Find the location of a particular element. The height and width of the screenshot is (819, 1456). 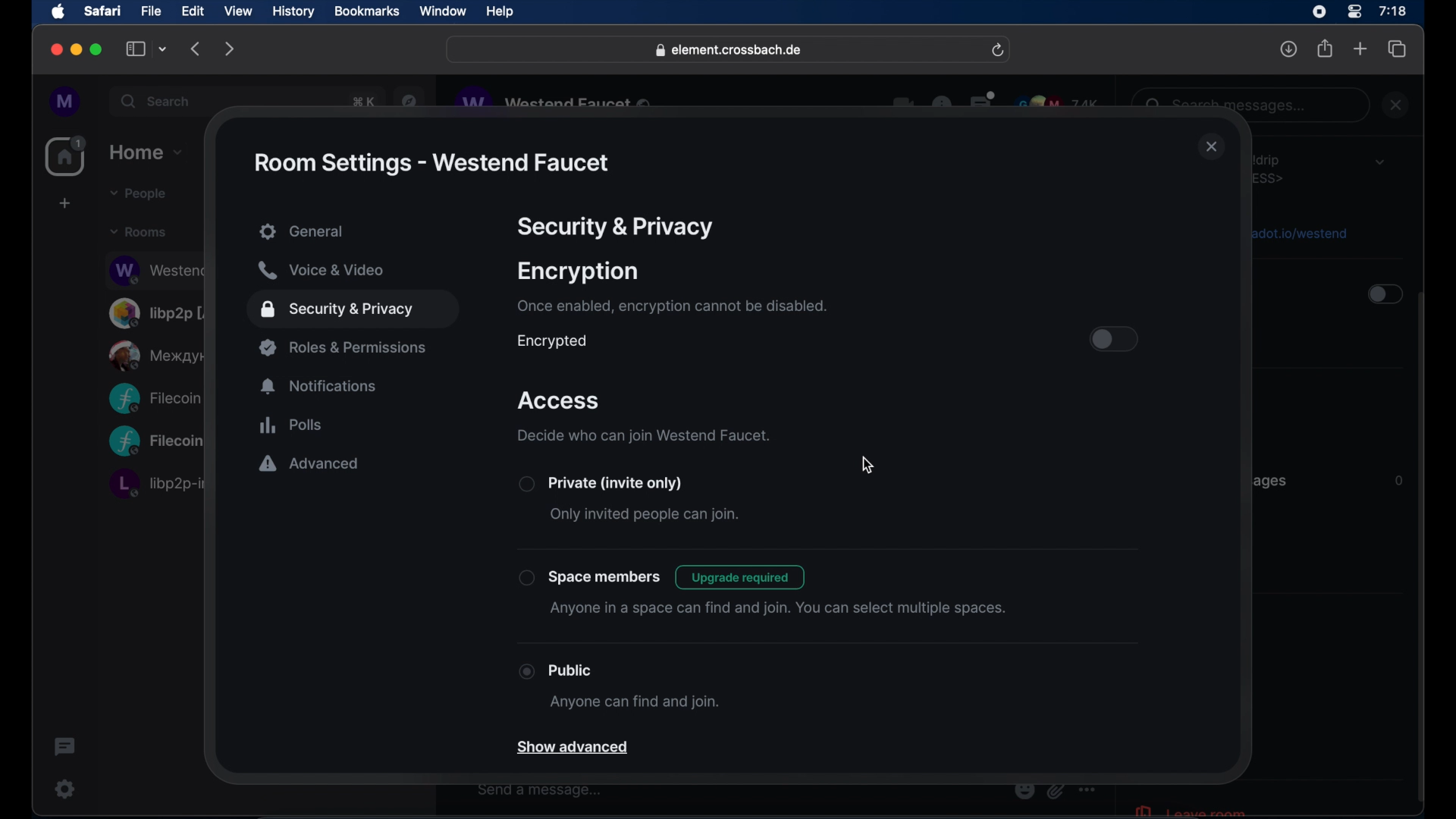

encrypted is located at coordinates (551, 341).